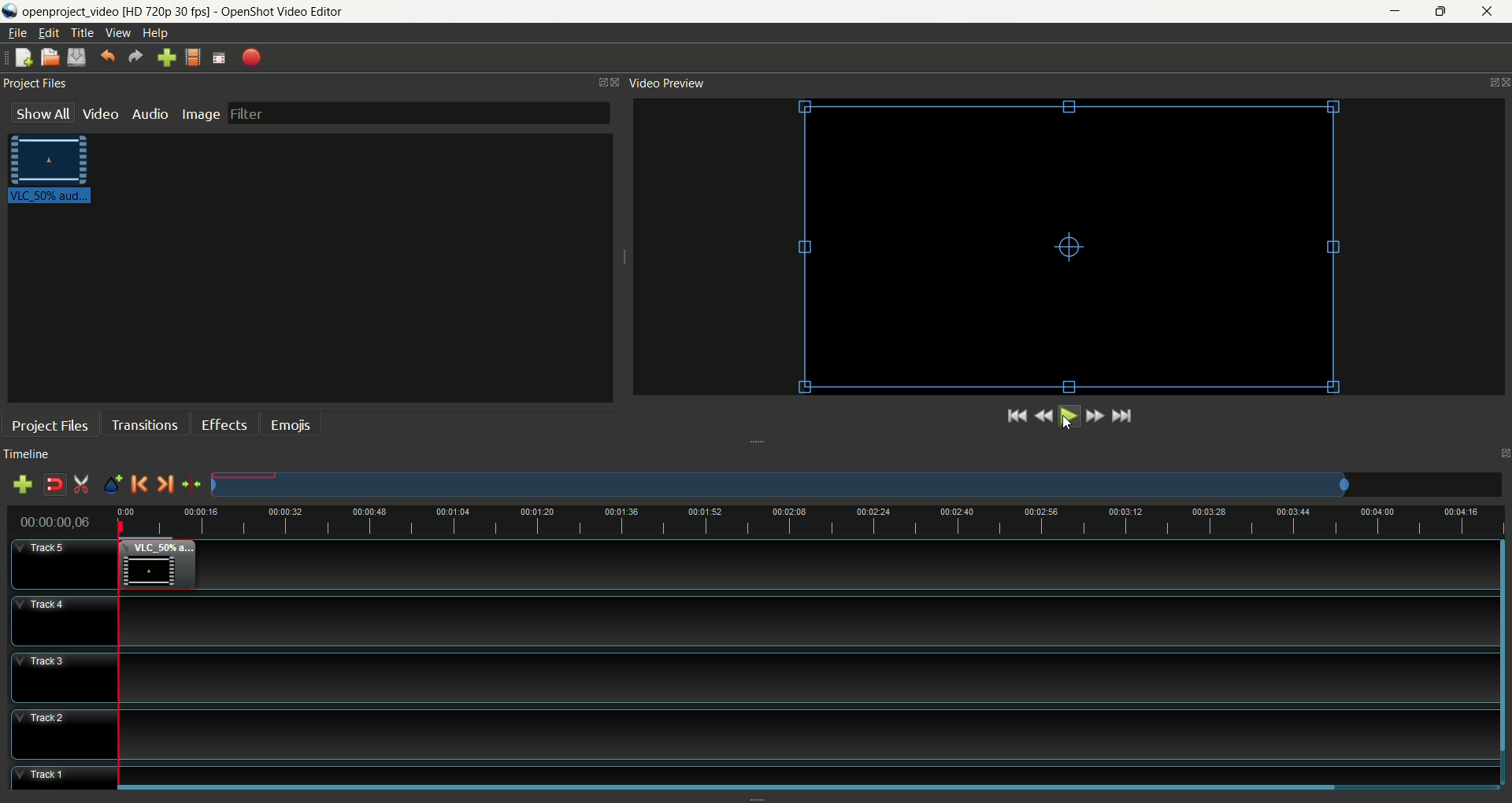 This screenshot has height=803, width=1512. What do you see at coordinates (192, 9) in the screenshot?
I see `openproject_video [HD 720p 30 fps] - OpenShot Video Editor` at bounding box center [192, 9].